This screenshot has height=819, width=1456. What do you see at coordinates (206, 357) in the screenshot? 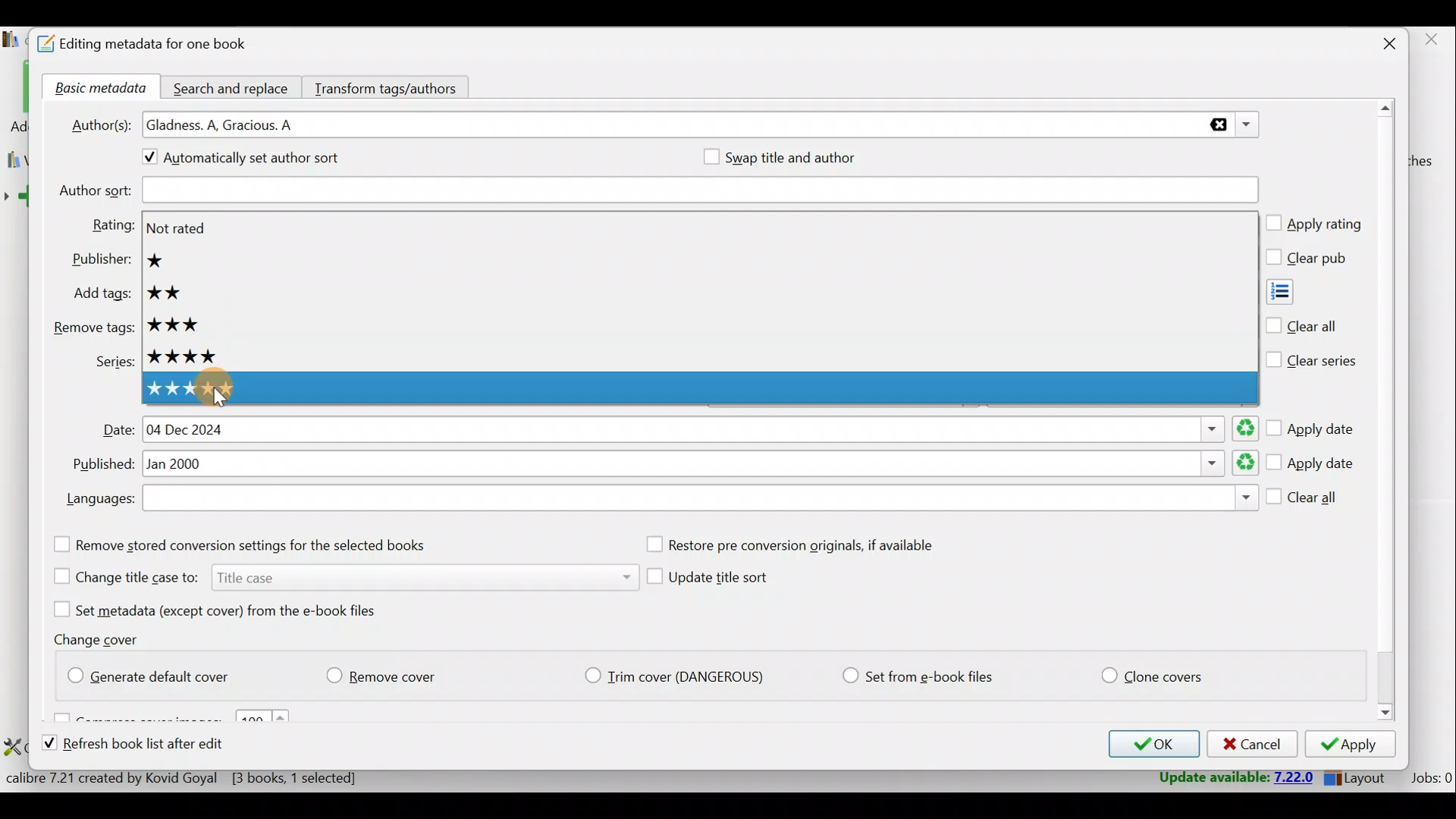
I see `4 star rating` at bounding box center [206, 357].